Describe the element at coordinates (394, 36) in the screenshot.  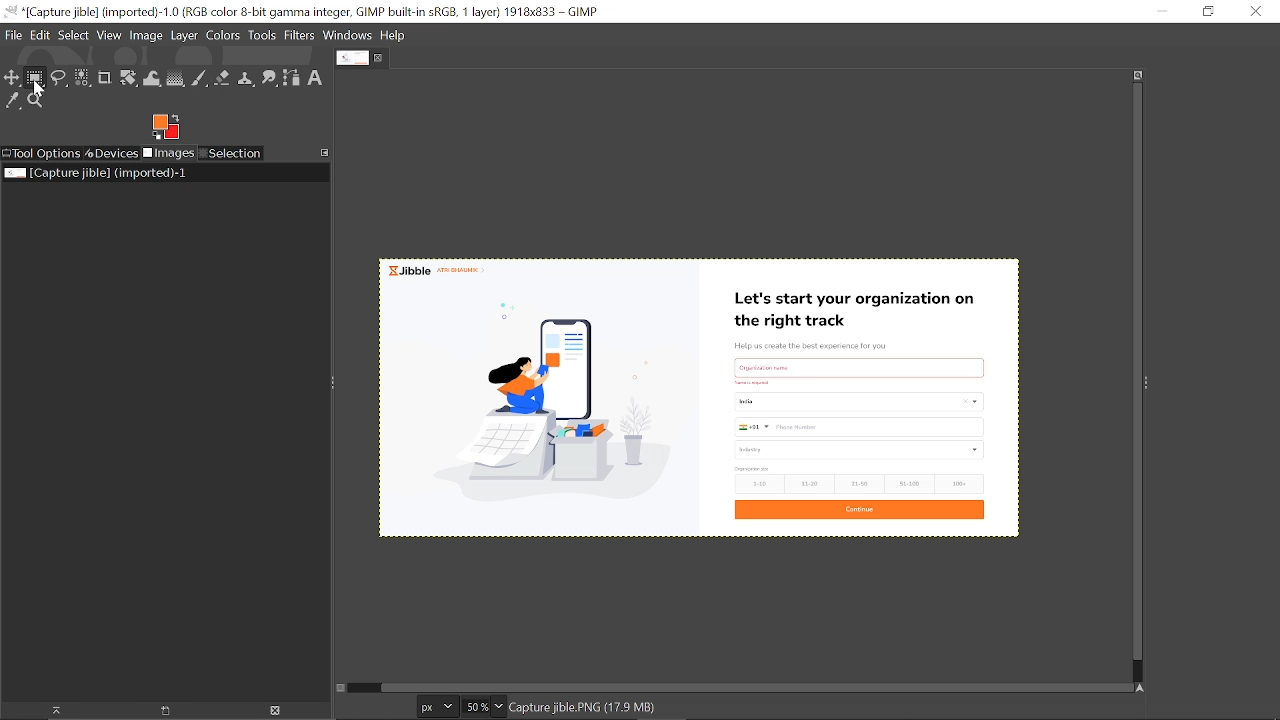
I see `Help` at that location.